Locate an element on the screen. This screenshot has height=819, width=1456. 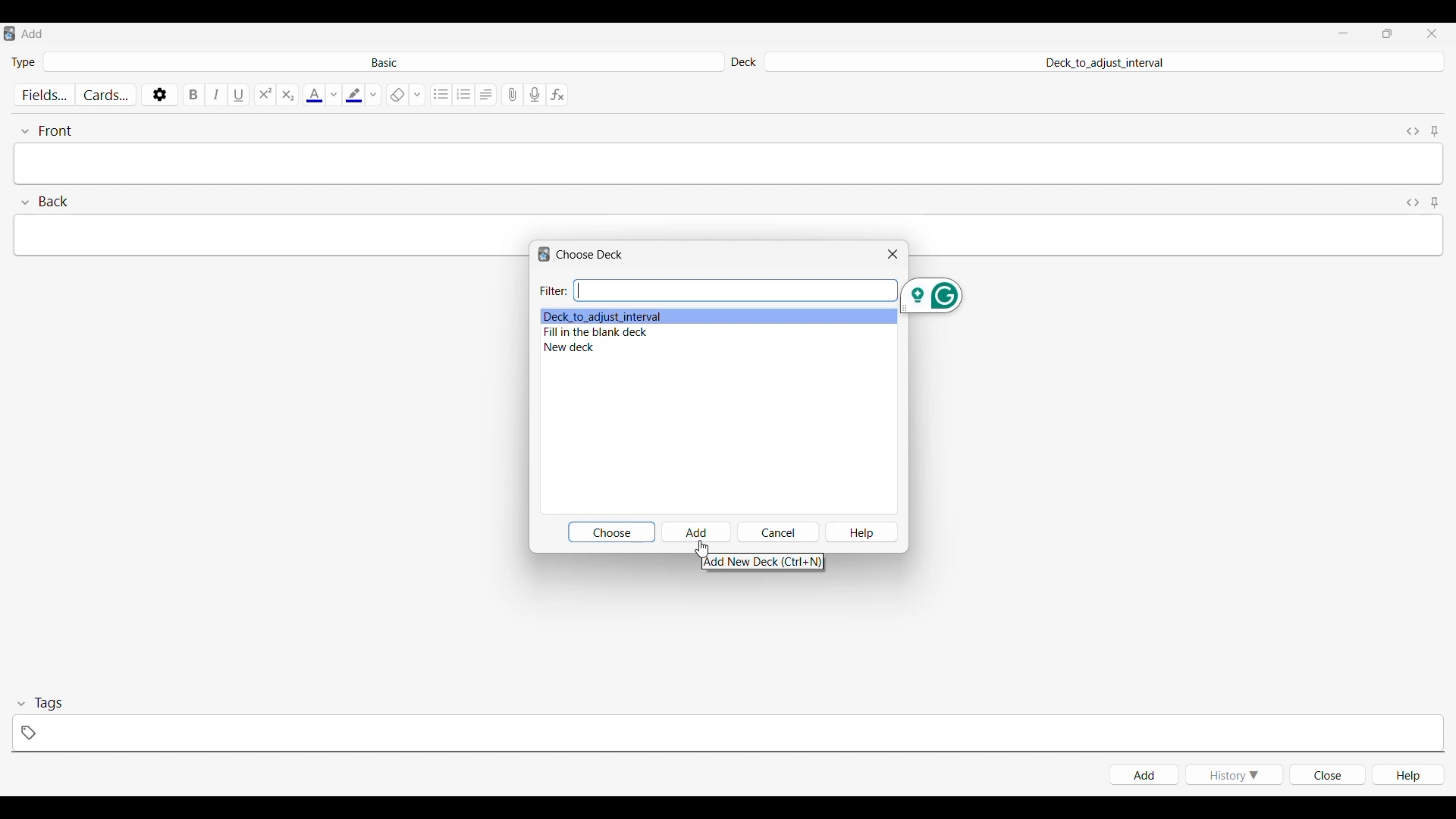
Choose is located at coordinates (610, 532).